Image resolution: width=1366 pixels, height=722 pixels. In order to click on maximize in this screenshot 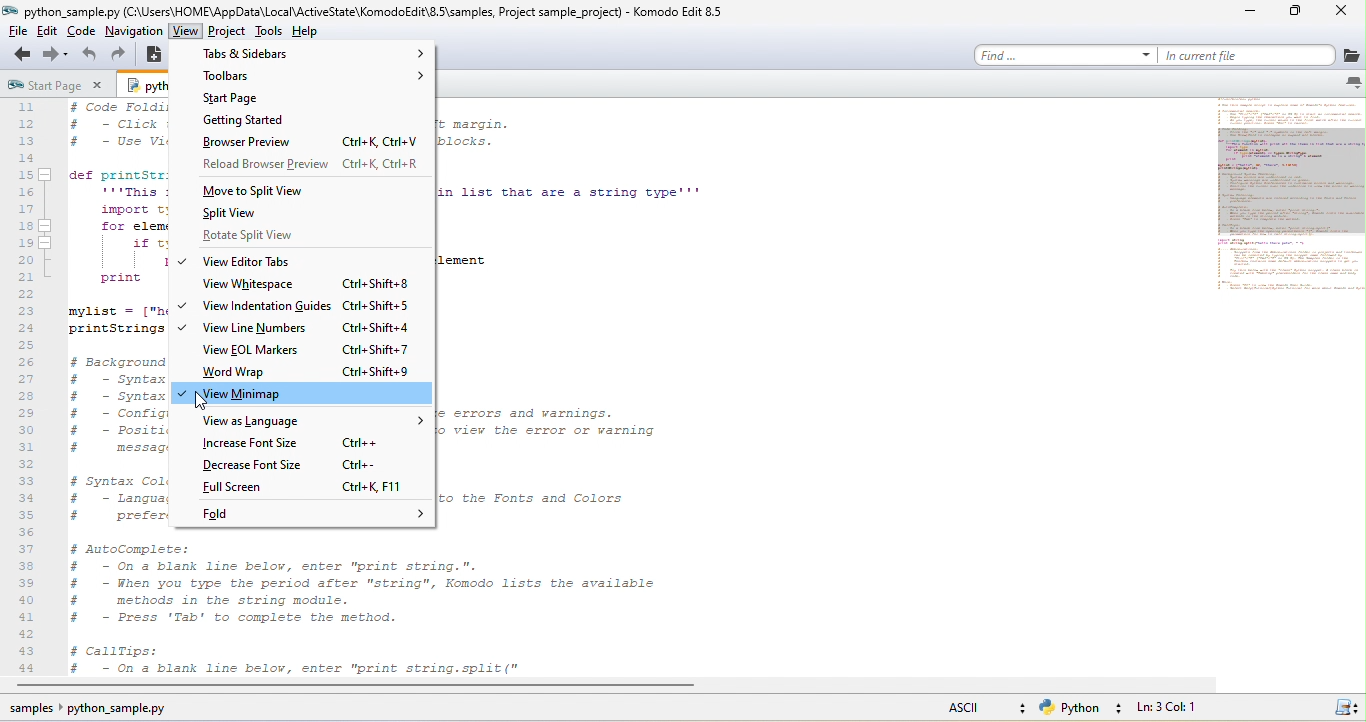, I will do `click(1289, 15)`.